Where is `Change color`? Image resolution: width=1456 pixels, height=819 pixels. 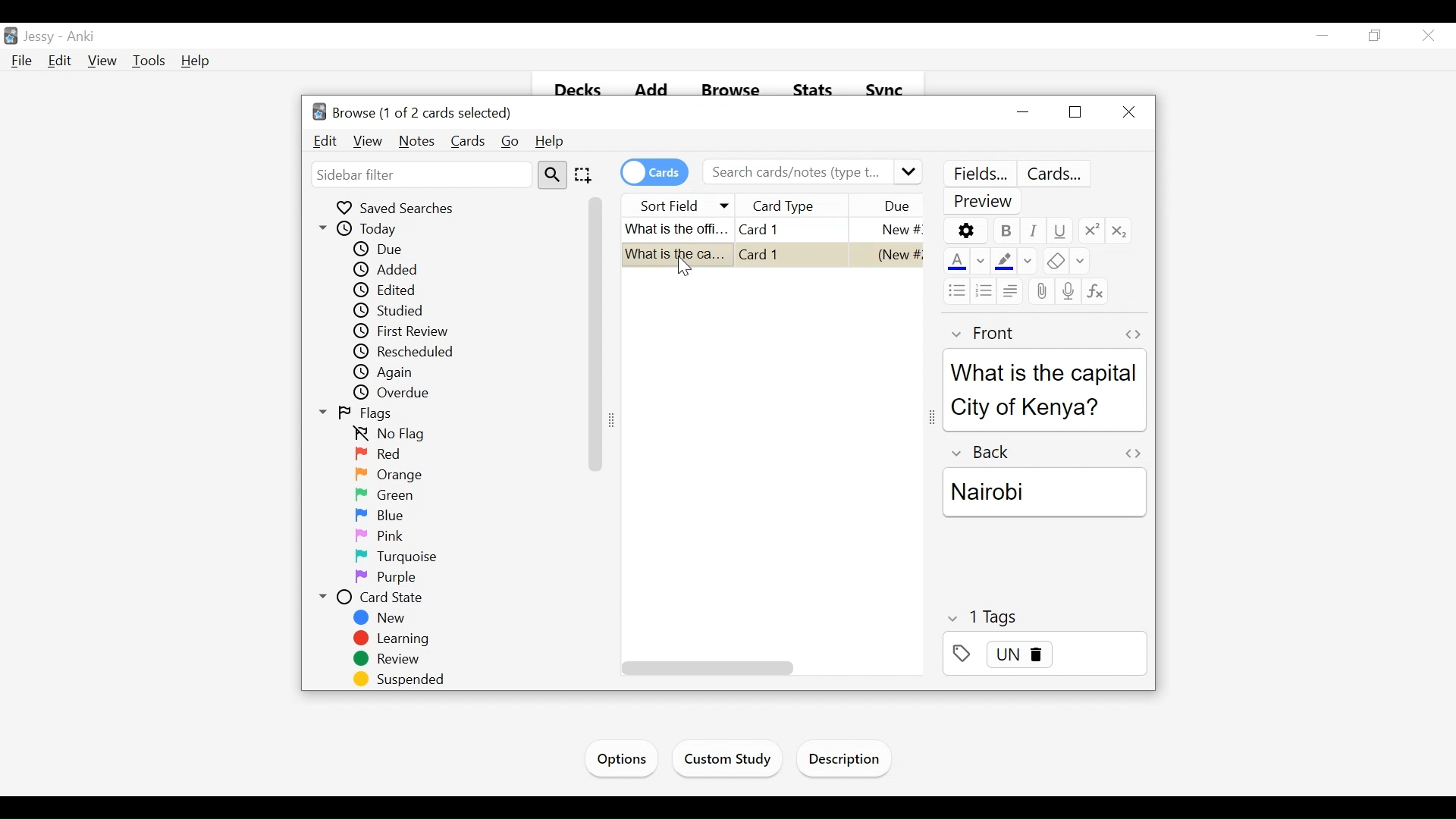
Change color is located at coordinates (981, 262).